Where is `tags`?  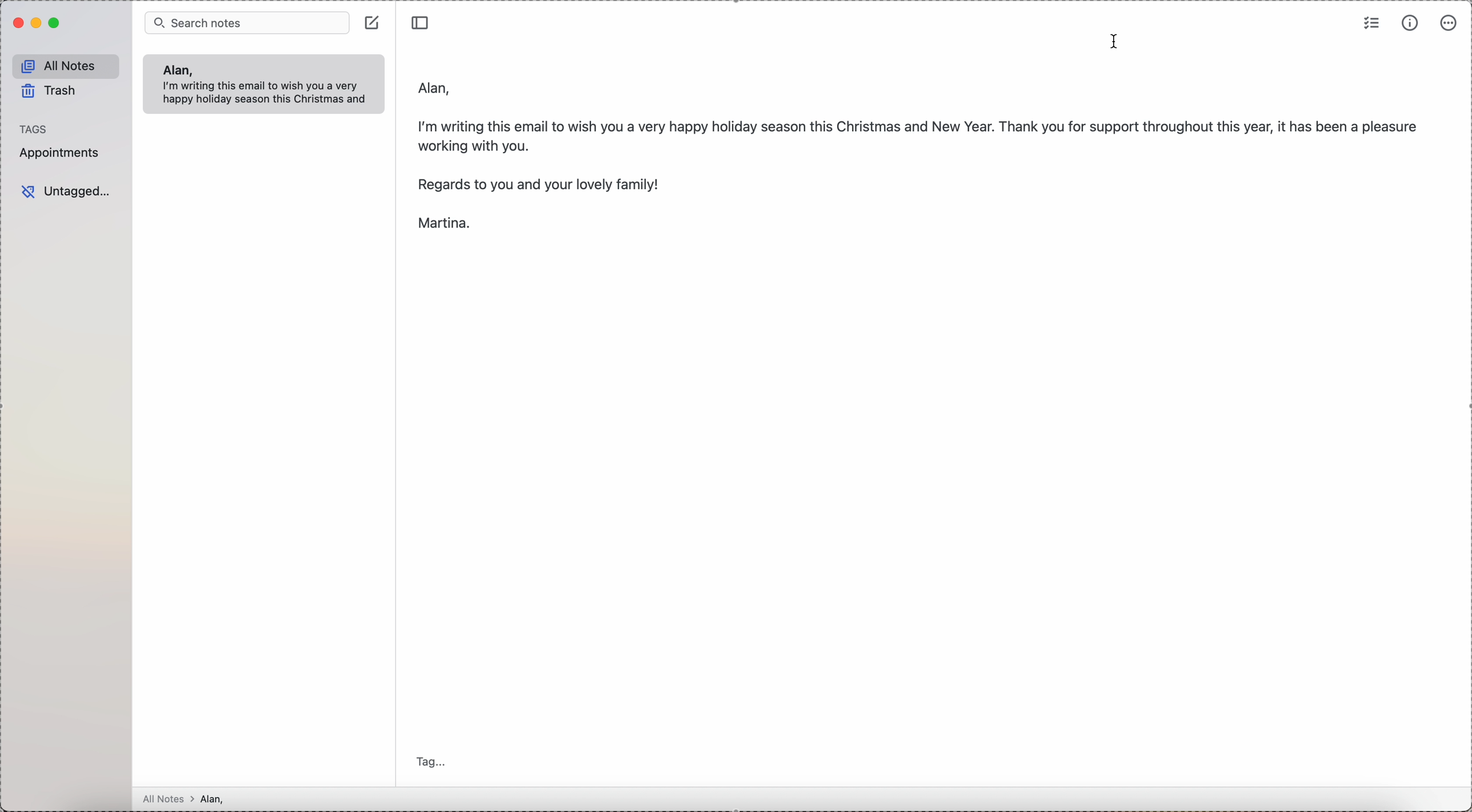 tags is located at coordinates (34, 129).